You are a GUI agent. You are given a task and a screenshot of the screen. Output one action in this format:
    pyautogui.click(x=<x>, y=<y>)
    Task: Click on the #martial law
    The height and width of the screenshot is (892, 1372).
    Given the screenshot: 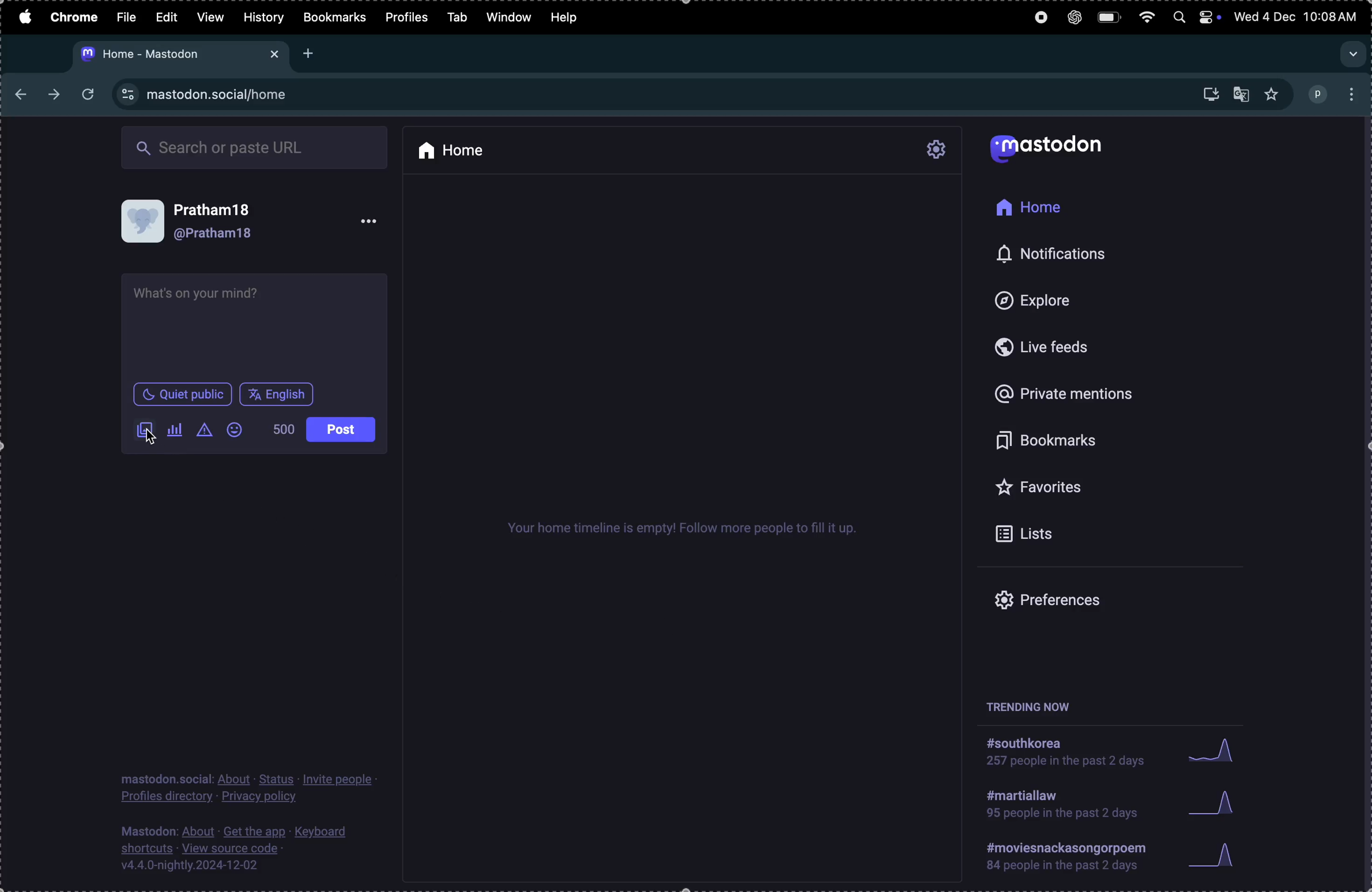 What is the action you would take?
    pyautogui.click(x=1056, y=808)
    